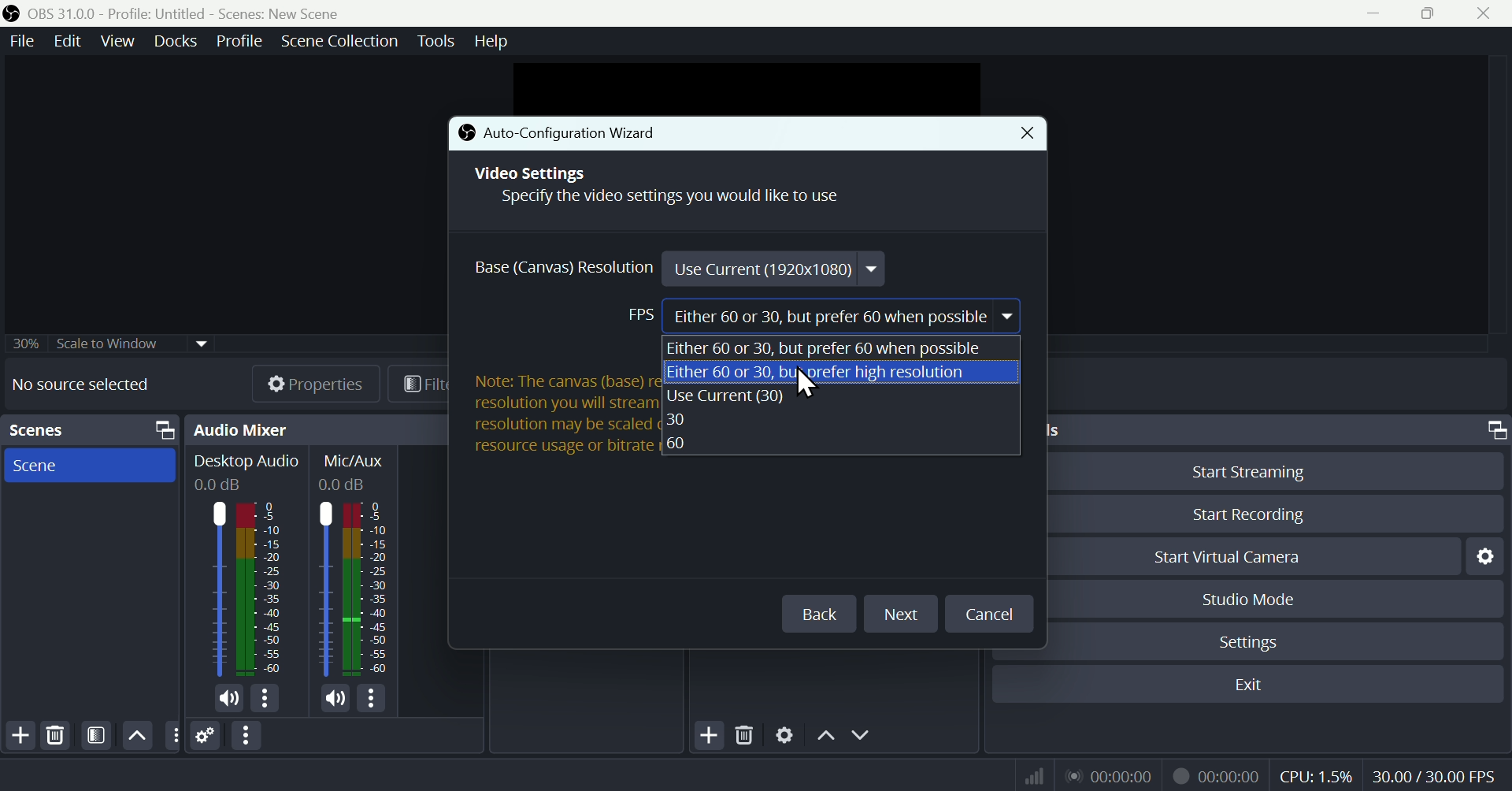  I want to click on Studio Mode, so click(1275, 598).